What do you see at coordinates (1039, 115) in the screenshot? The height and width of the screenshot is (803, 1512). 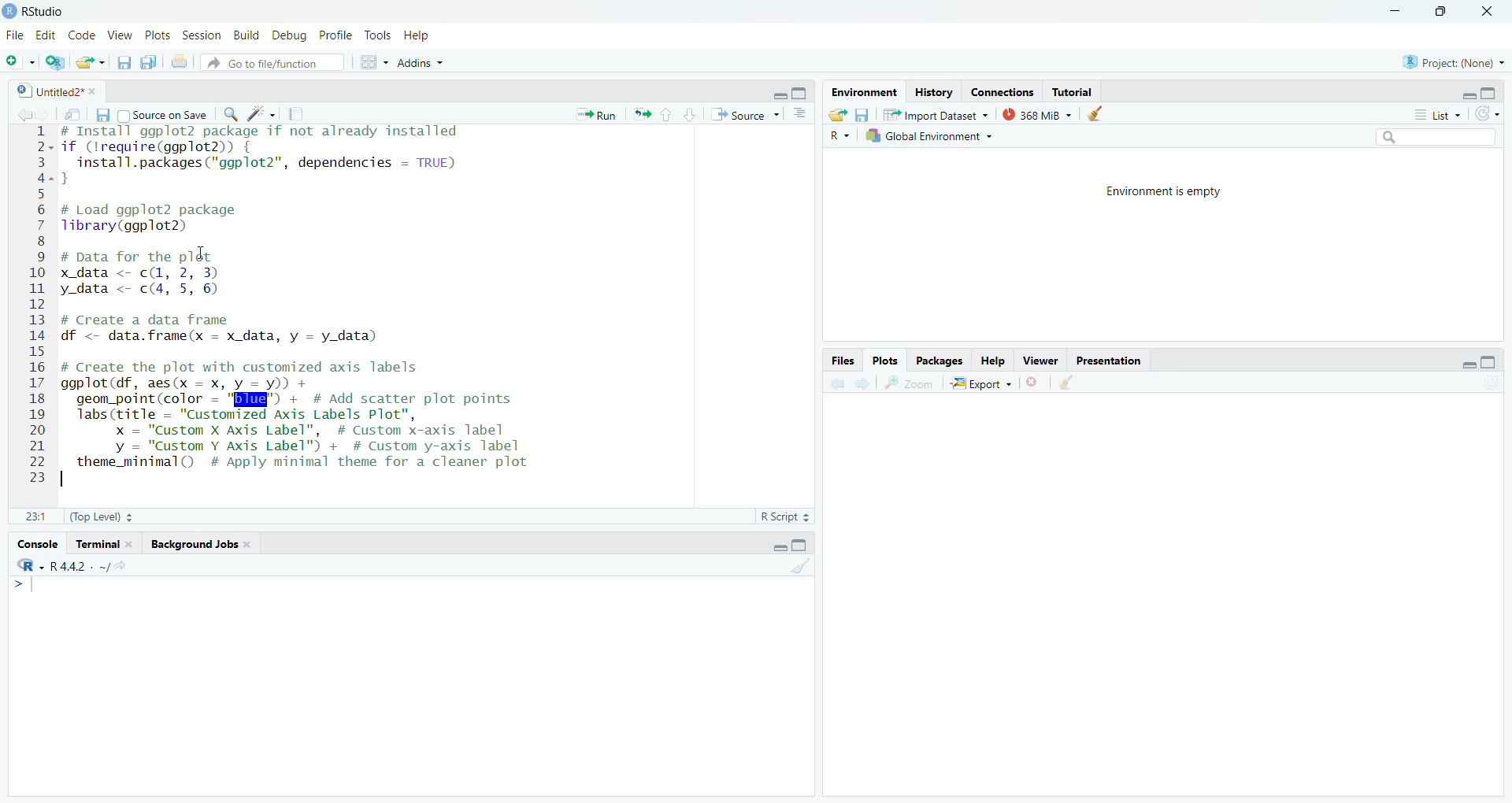 I see `© 363 MmiB +` at bounding box center [1039, 115].